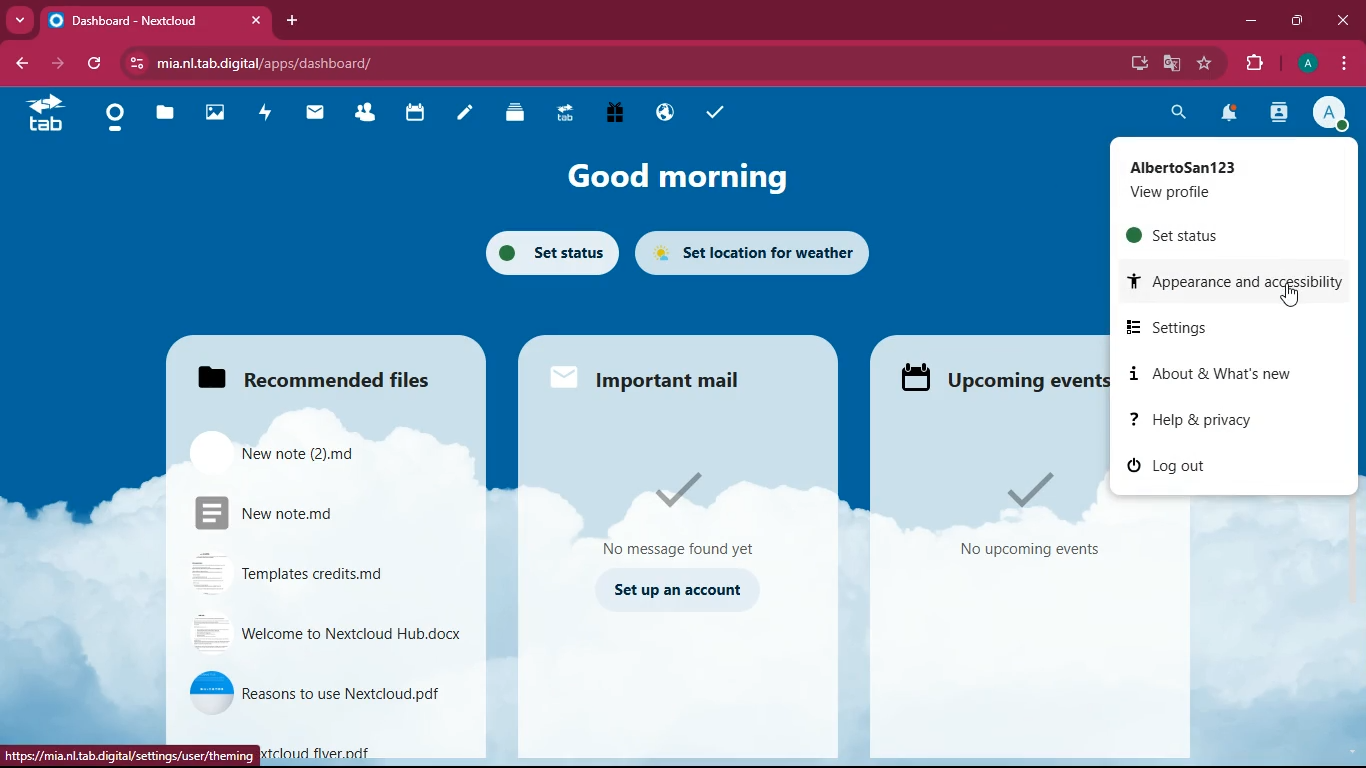 The image size is (1366, 768). Describe the element at coordinates (1131, 63) in the screenshot. I see `desktop` at that location.